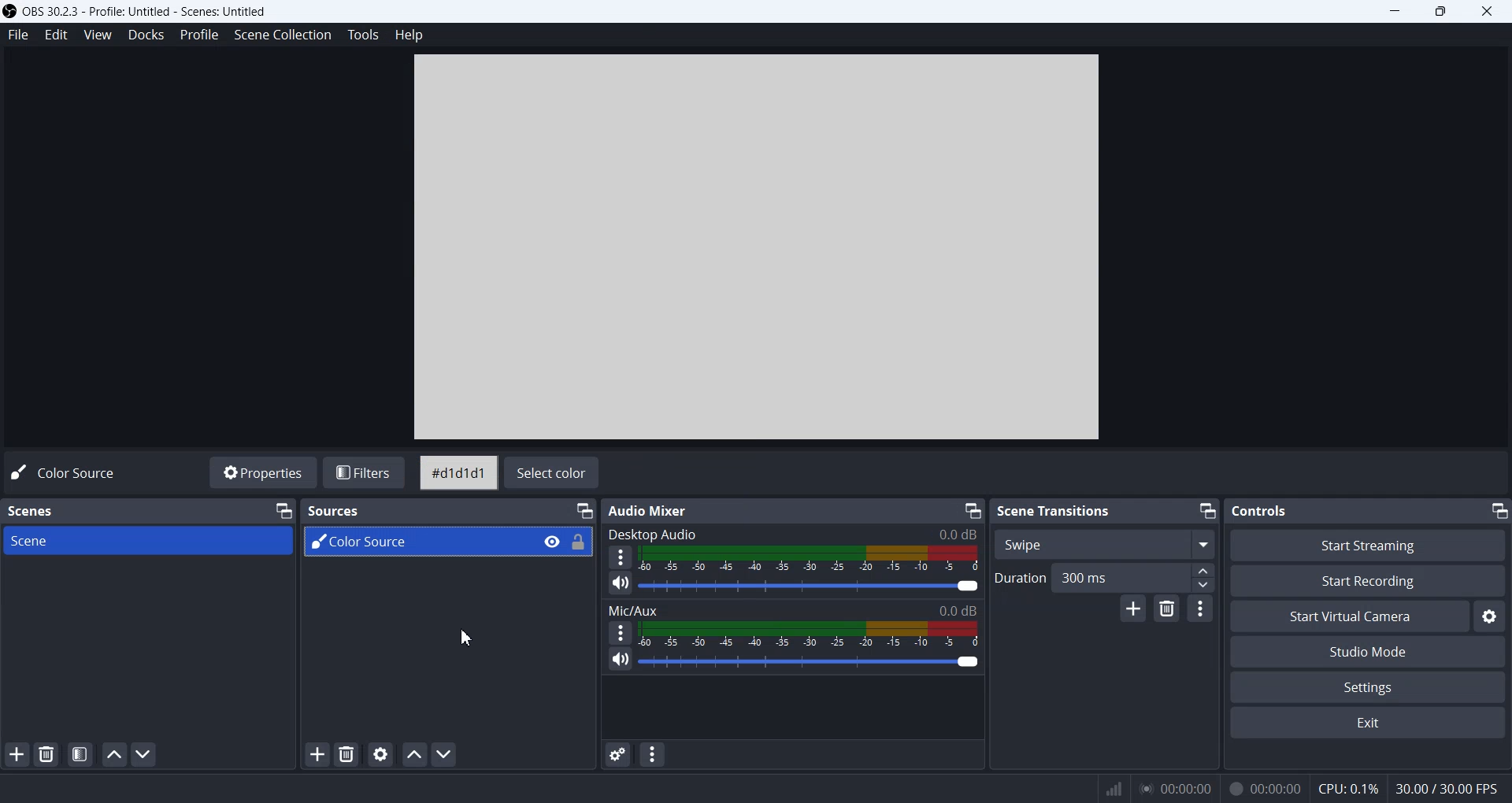 Image resolution: width=1512 pixels, height=803 pixels. Describe the element at coordinates (811, 586) in the screenshot. I see `Sound Adjuster` at that location.